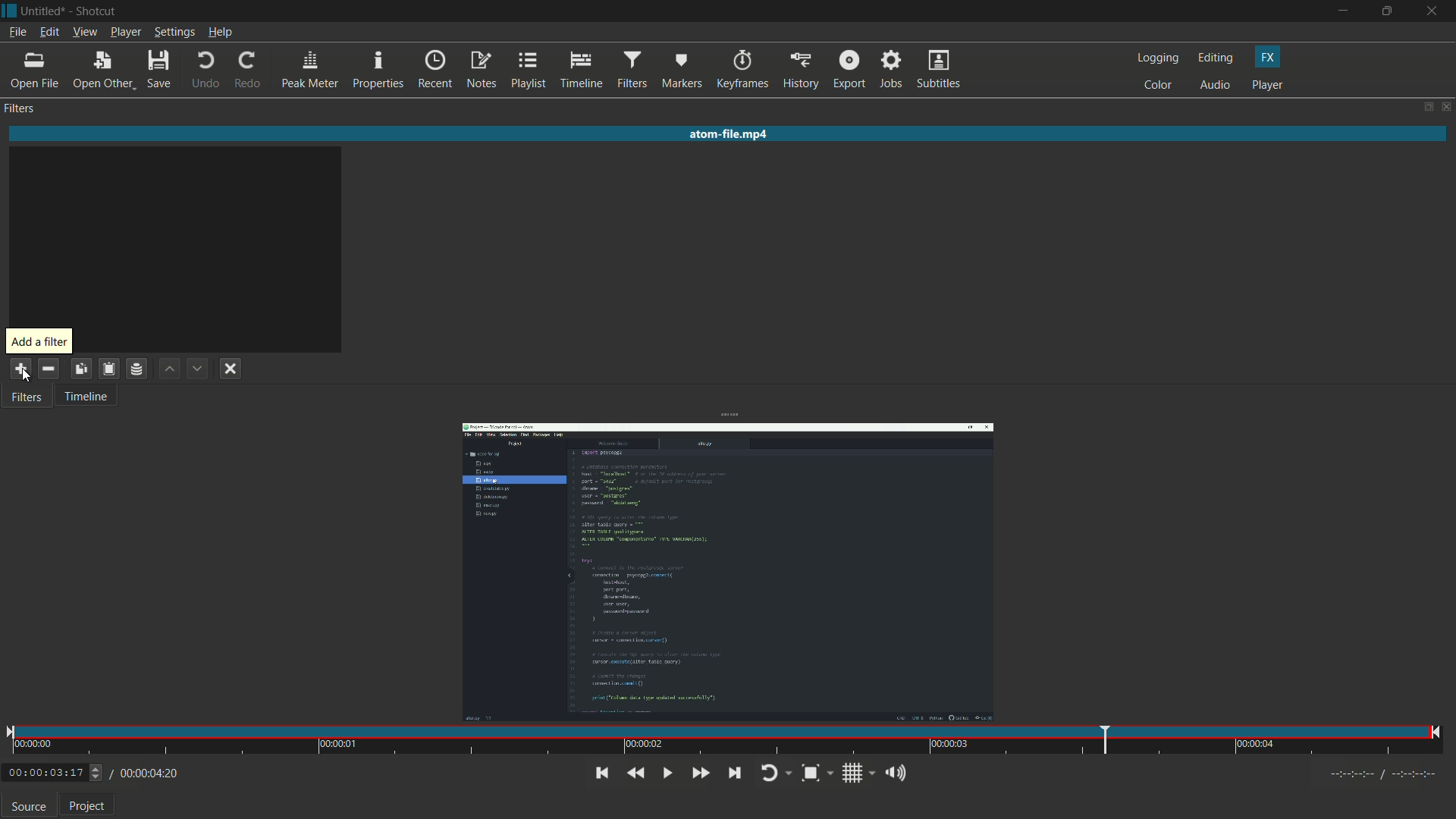 The height and width of the screenshot is (819, 1456). I want to click on Shotcut icon, so click(8, 11).